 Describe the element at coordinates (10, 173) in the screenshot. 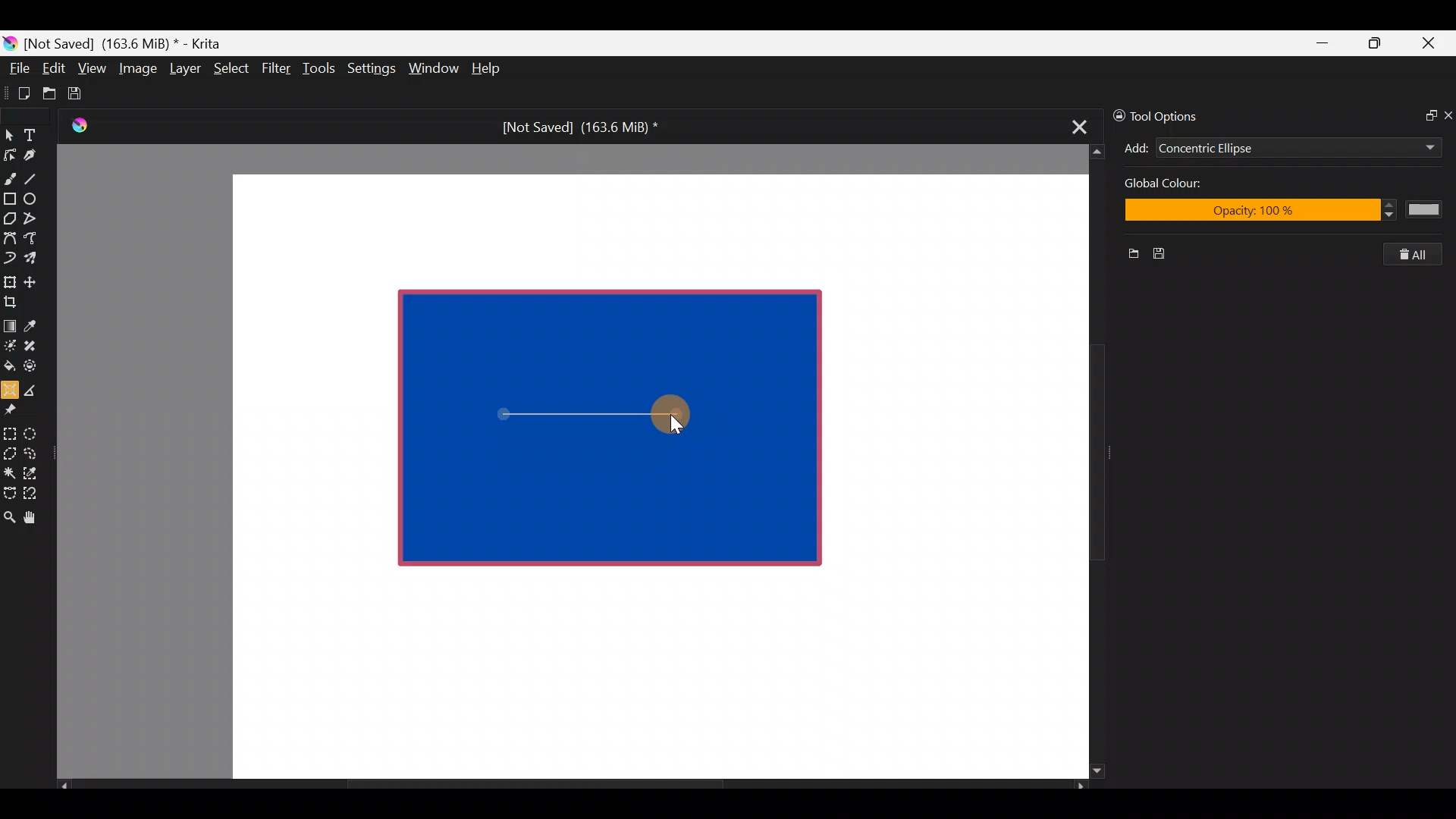

I see `Freehand brush tool` at that location.